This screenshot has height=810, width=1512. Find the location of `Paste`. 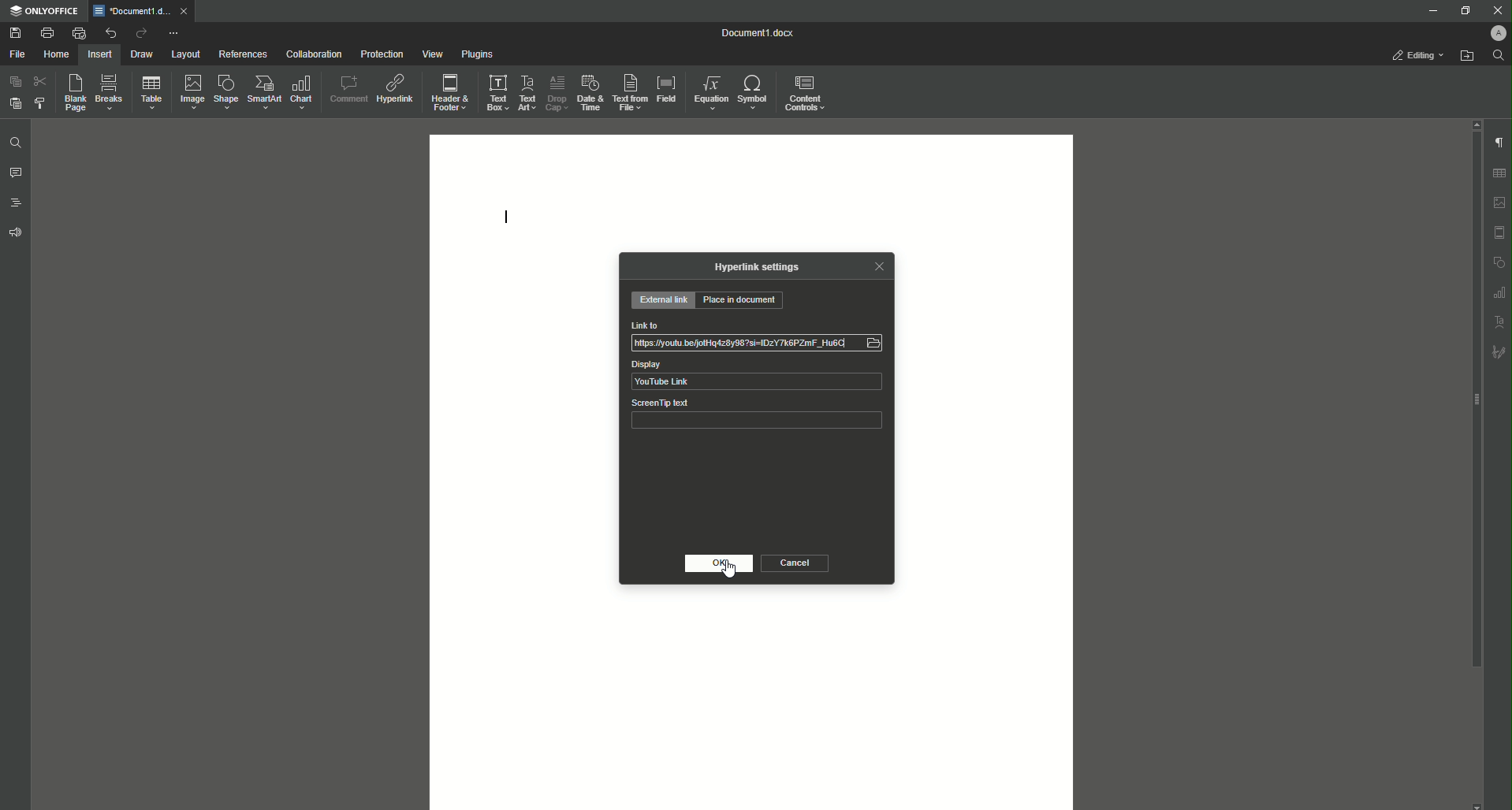

Paste is located at coordinates (16, 104).